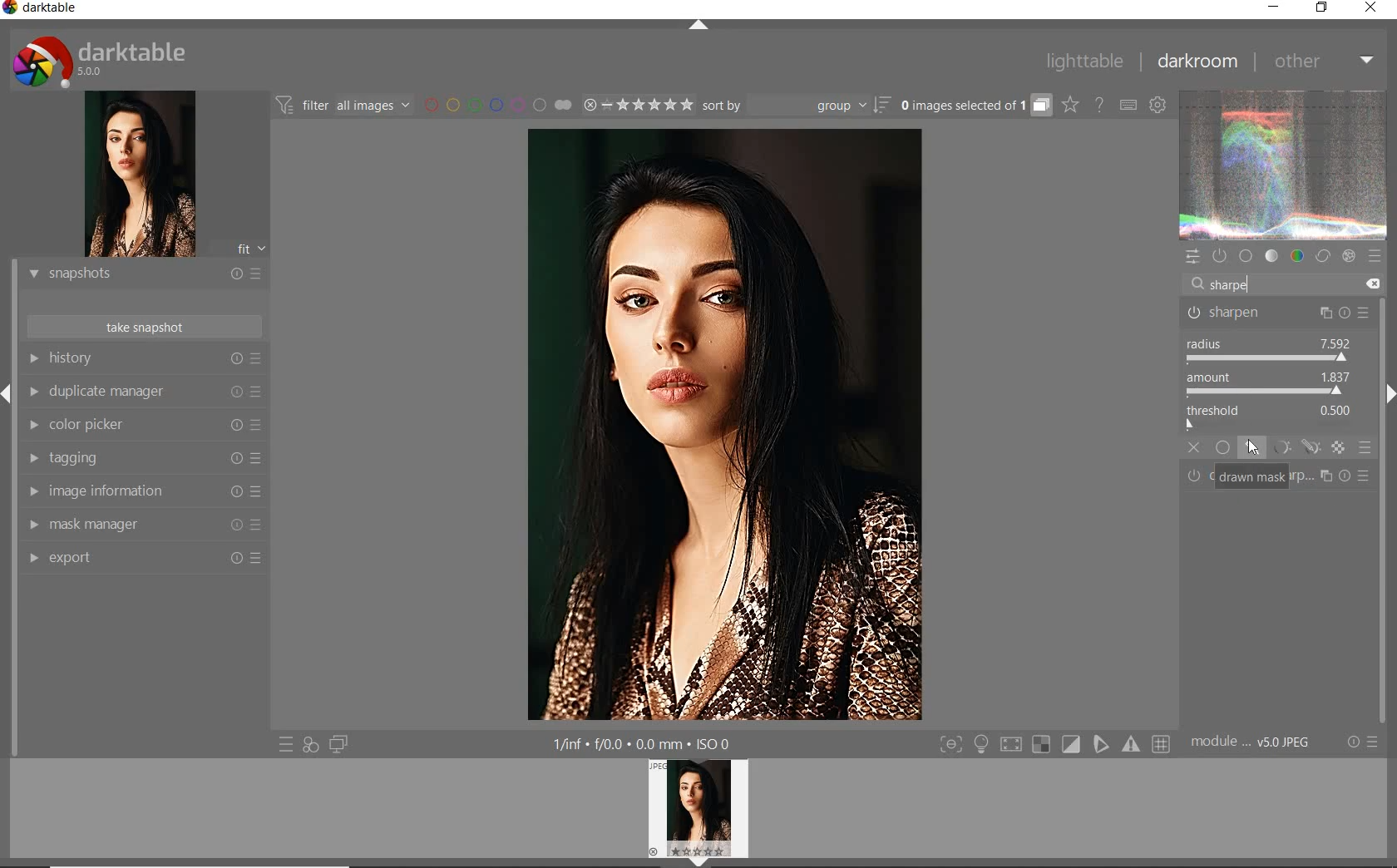  Describe the element at coordinates (1235, 284) in the screenshot. I see `INPUT VALUE` at that location.